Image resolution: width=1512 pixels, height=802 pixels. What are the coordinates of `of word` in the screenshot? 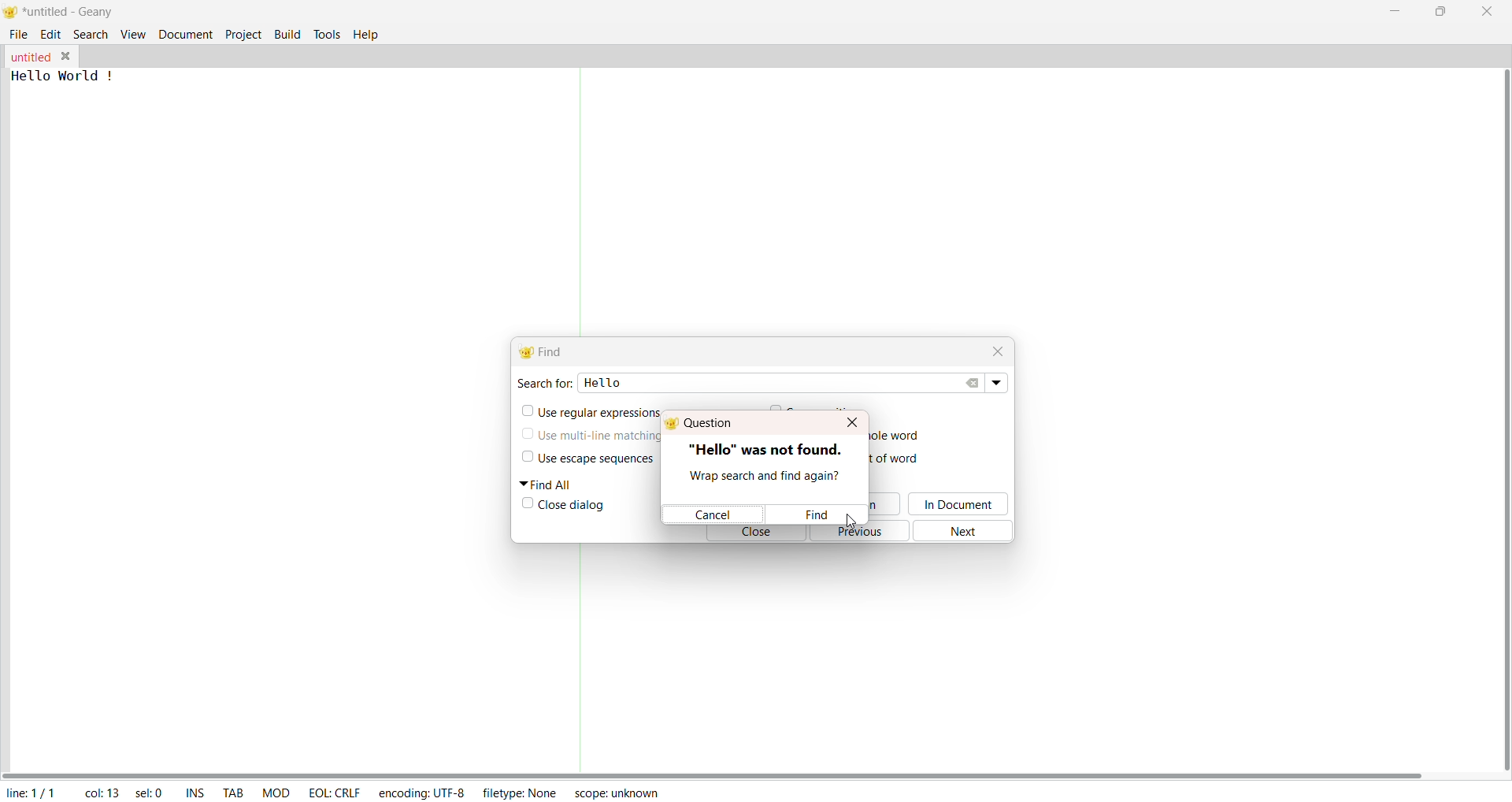 It's located at (902, 459).